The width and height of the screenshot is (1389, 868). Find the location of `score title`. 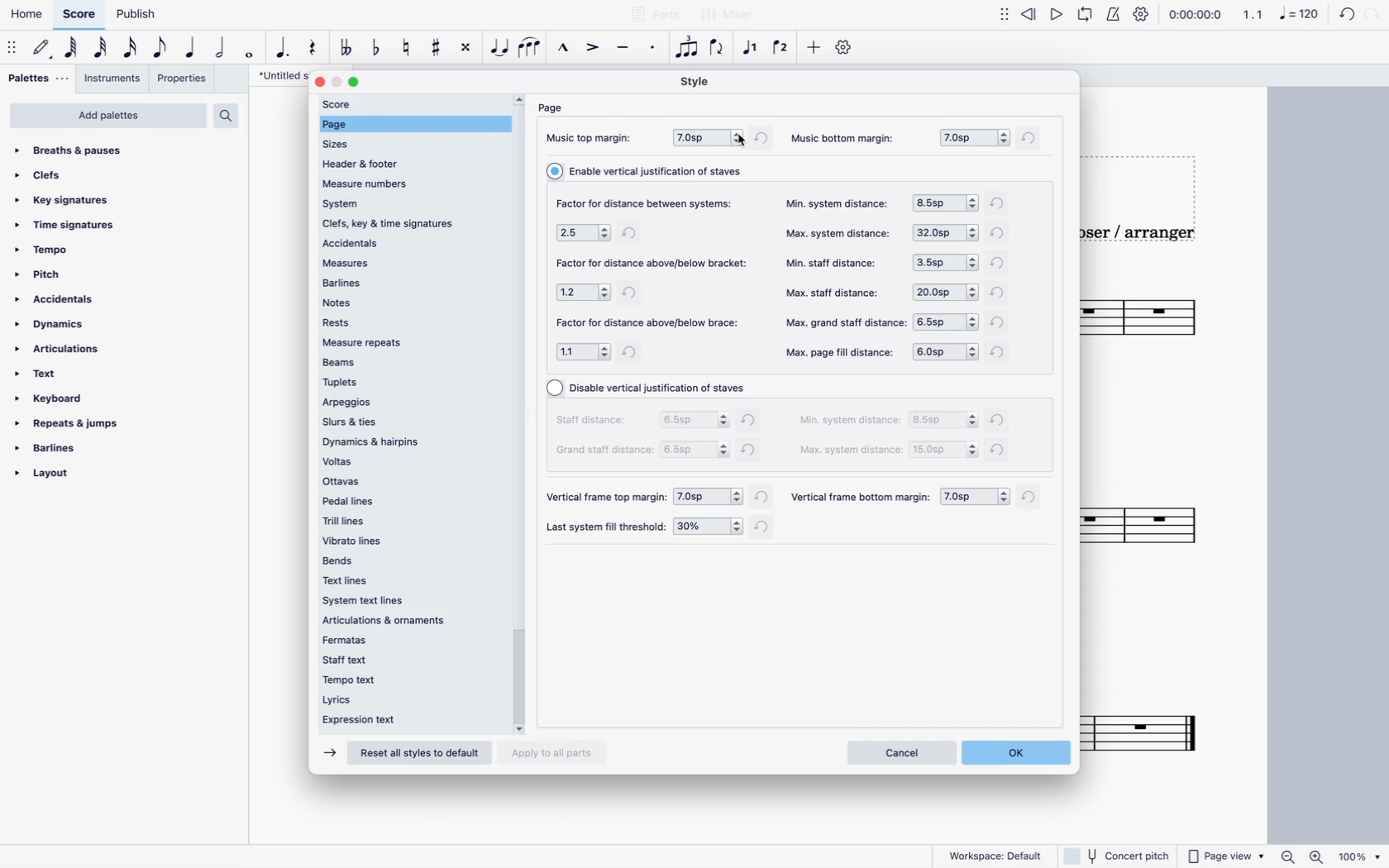

score title is located at coordinates (275, 76).